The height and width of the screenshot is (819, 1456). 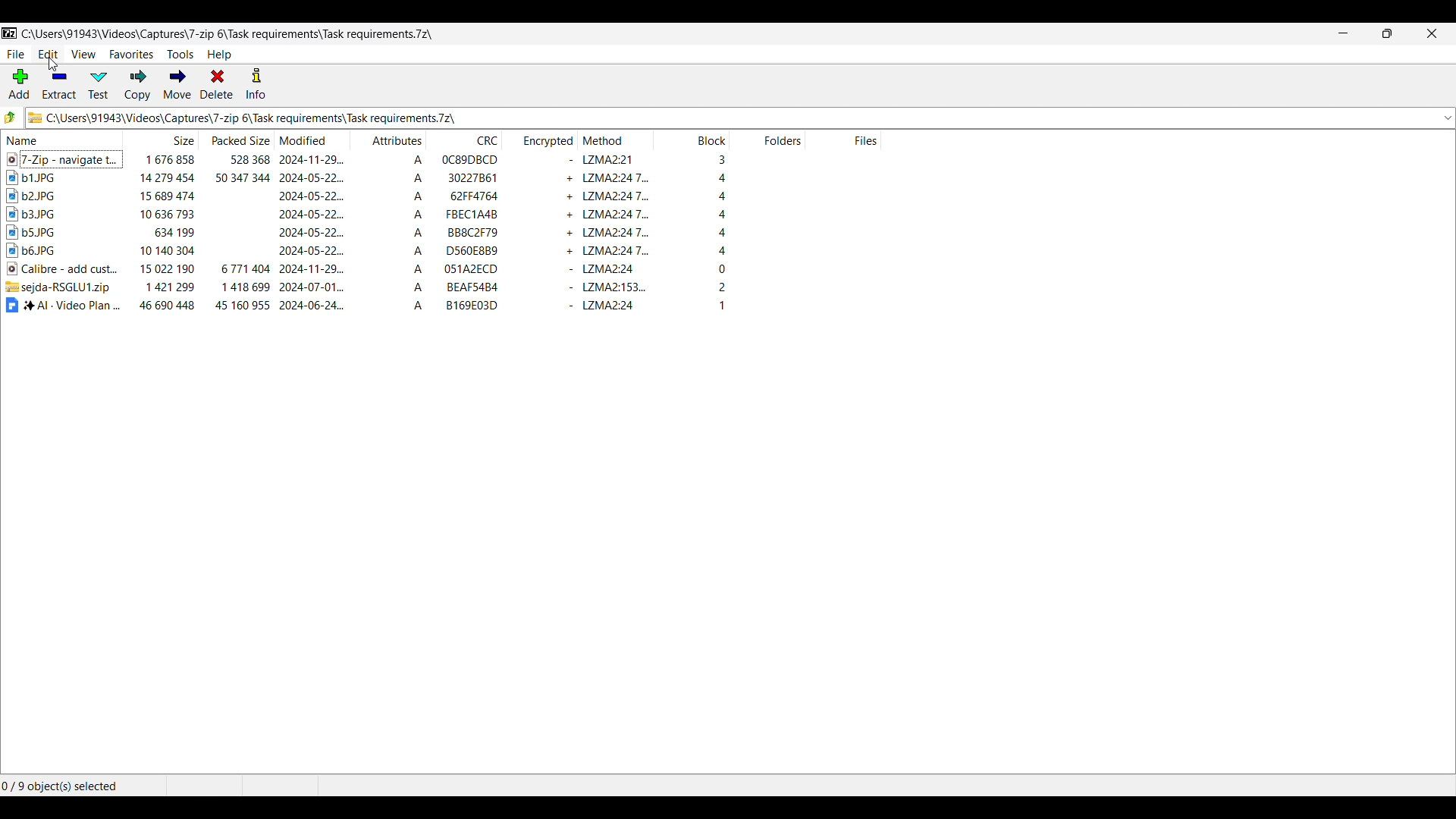 What do you see at coordinates (237, 139) in the screenshot?
I see `Packed size column` at bounding box center [237, 139].